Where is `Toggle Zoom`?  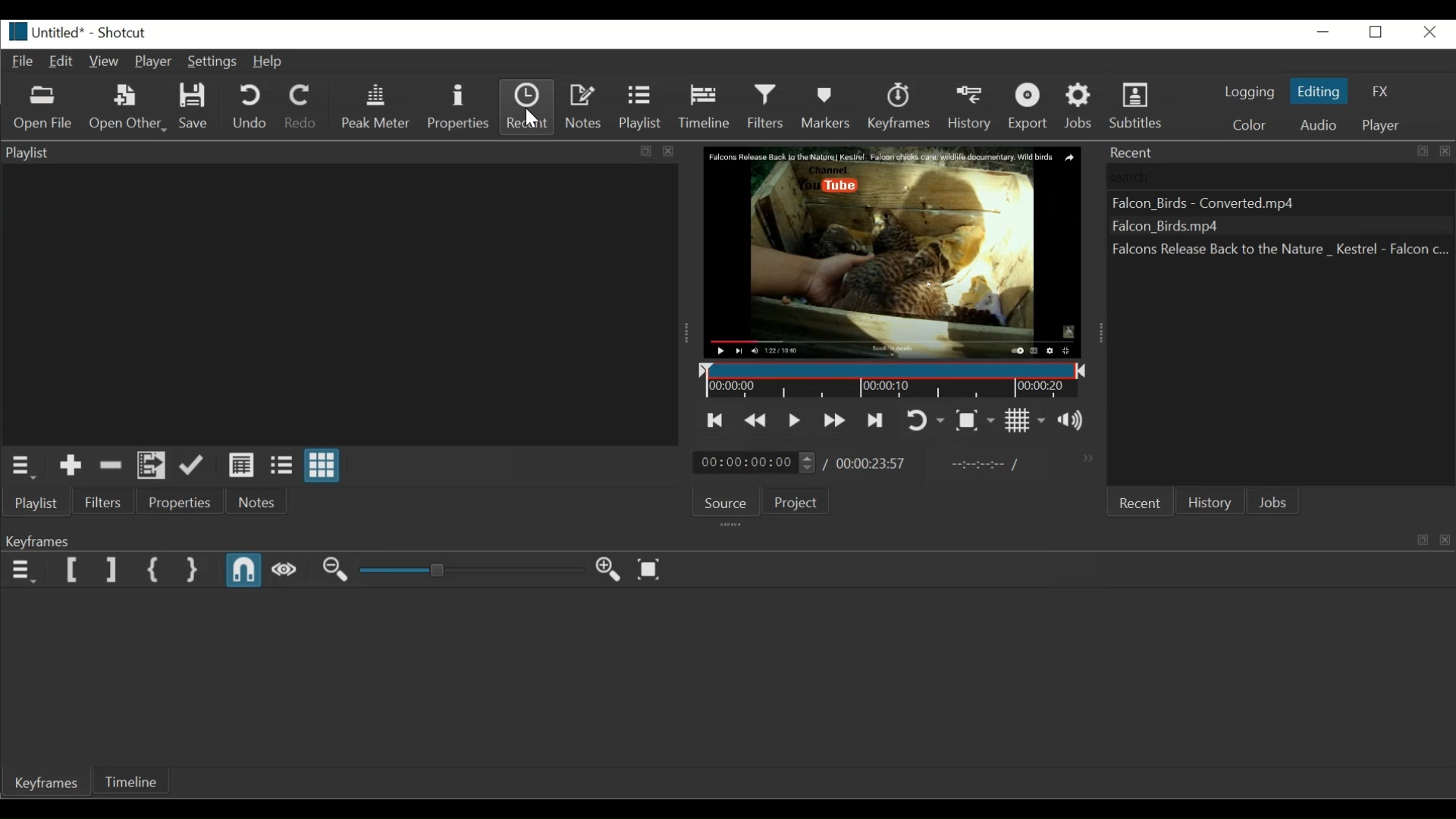
Toggle Zoom is located at coordinates (976, 421).